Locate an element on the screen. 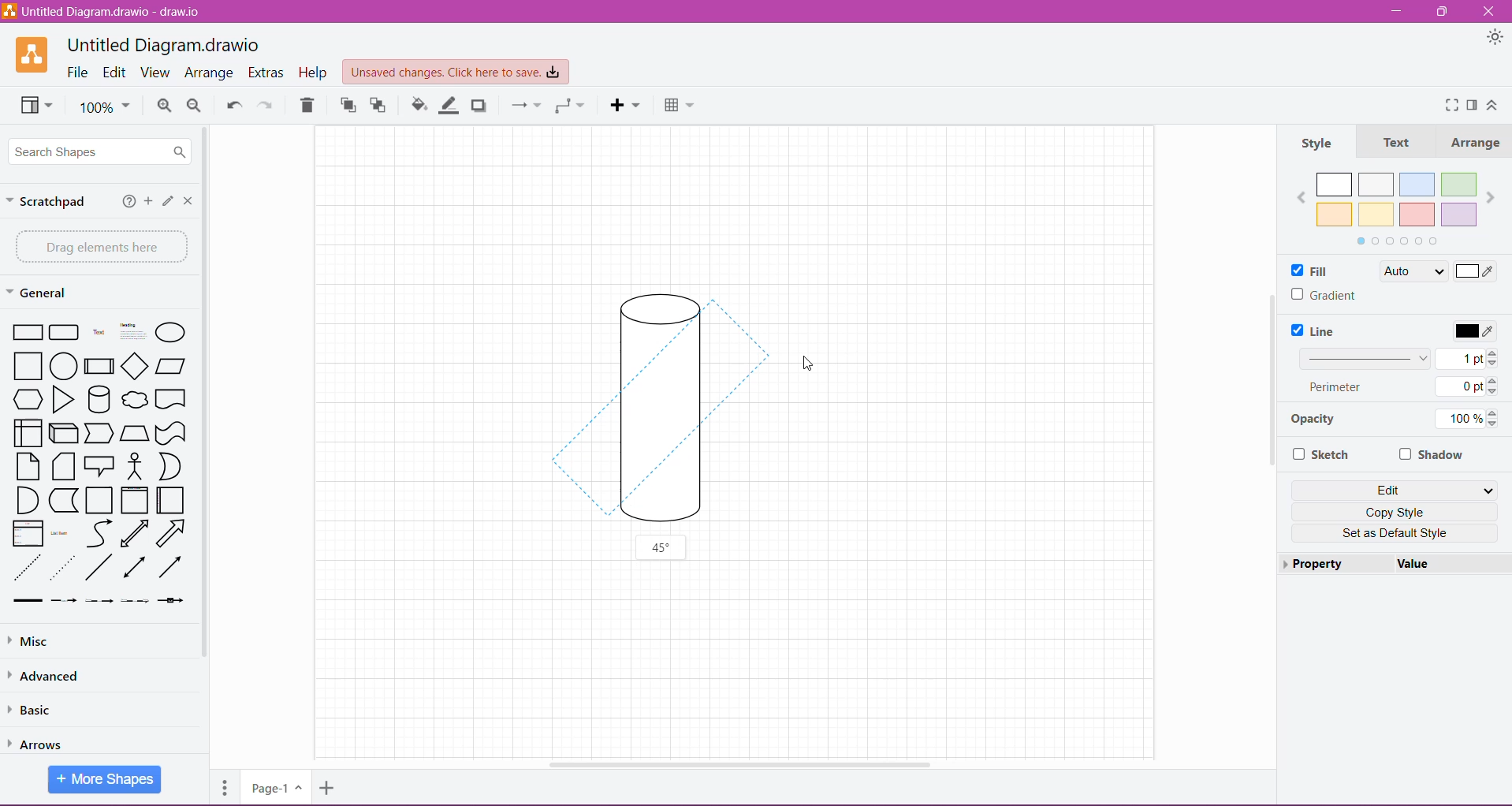 This screenshot has height=806, width=1512. Waypoints is located at coordinates (568, 107).